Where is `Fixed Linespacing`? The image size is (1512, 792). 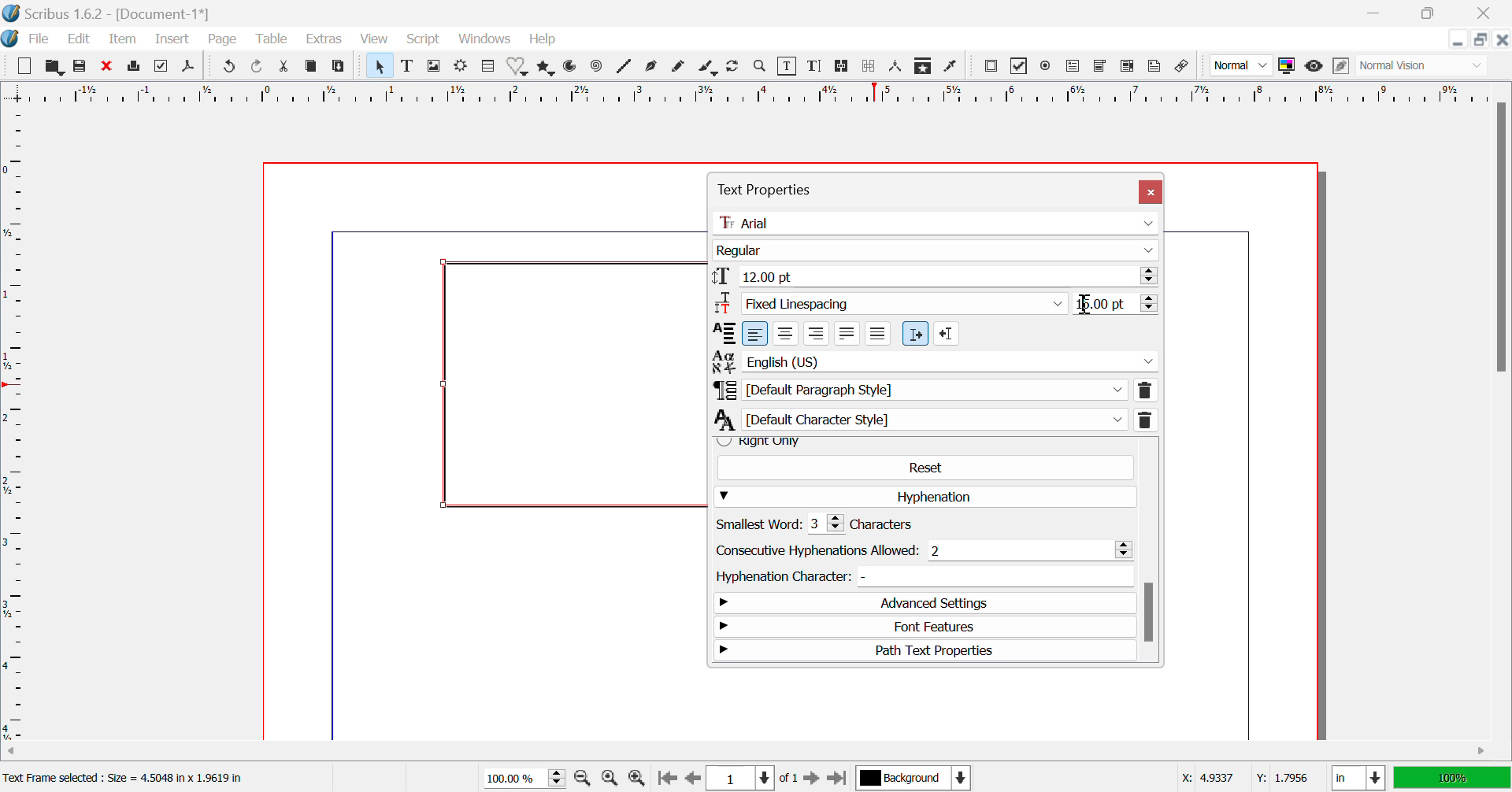 Fixed Linespacing is located at coordinates (894, 302).